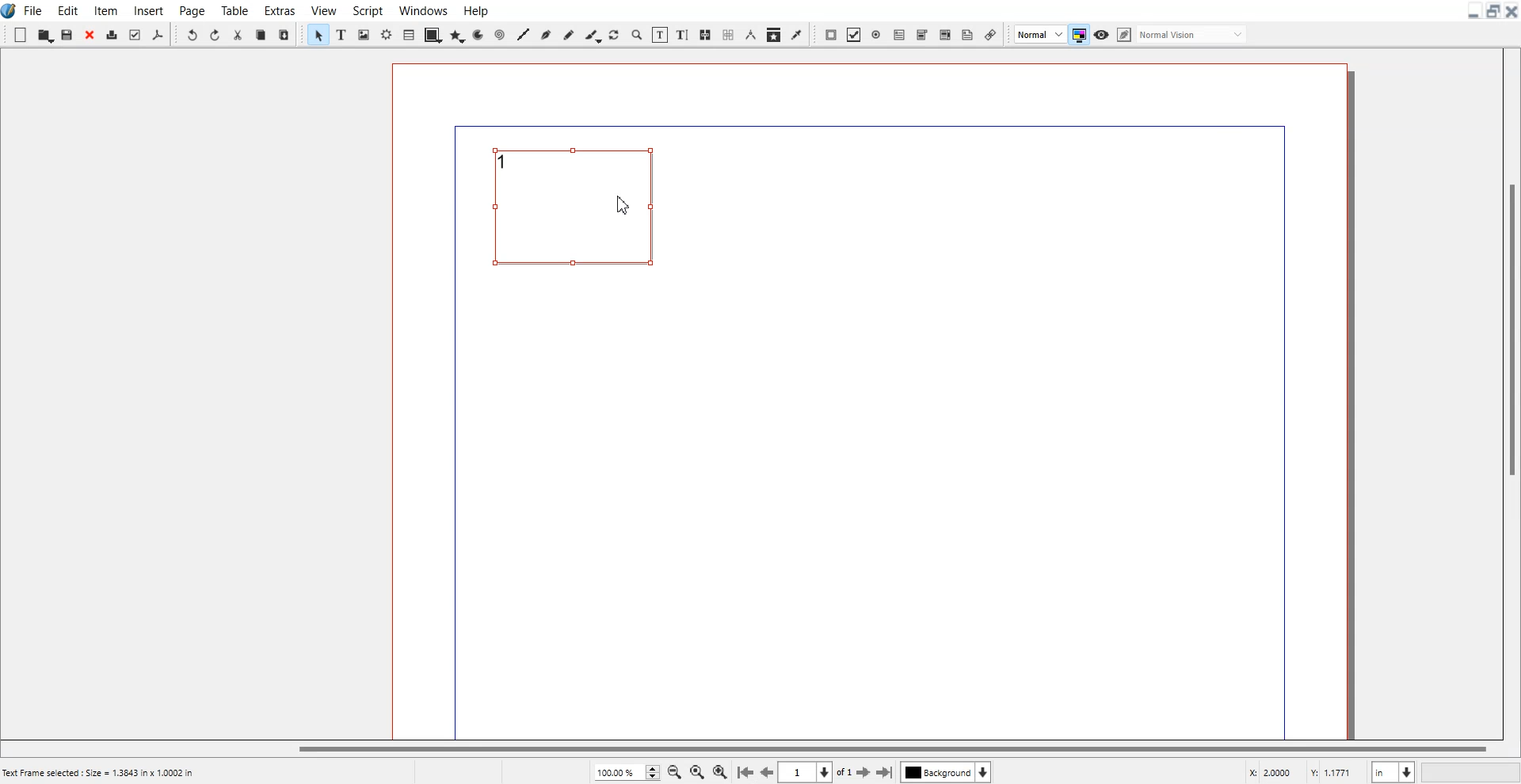  Describe the element at coordinates (261, 33) in the screenshot. I see `Copy` at that location.